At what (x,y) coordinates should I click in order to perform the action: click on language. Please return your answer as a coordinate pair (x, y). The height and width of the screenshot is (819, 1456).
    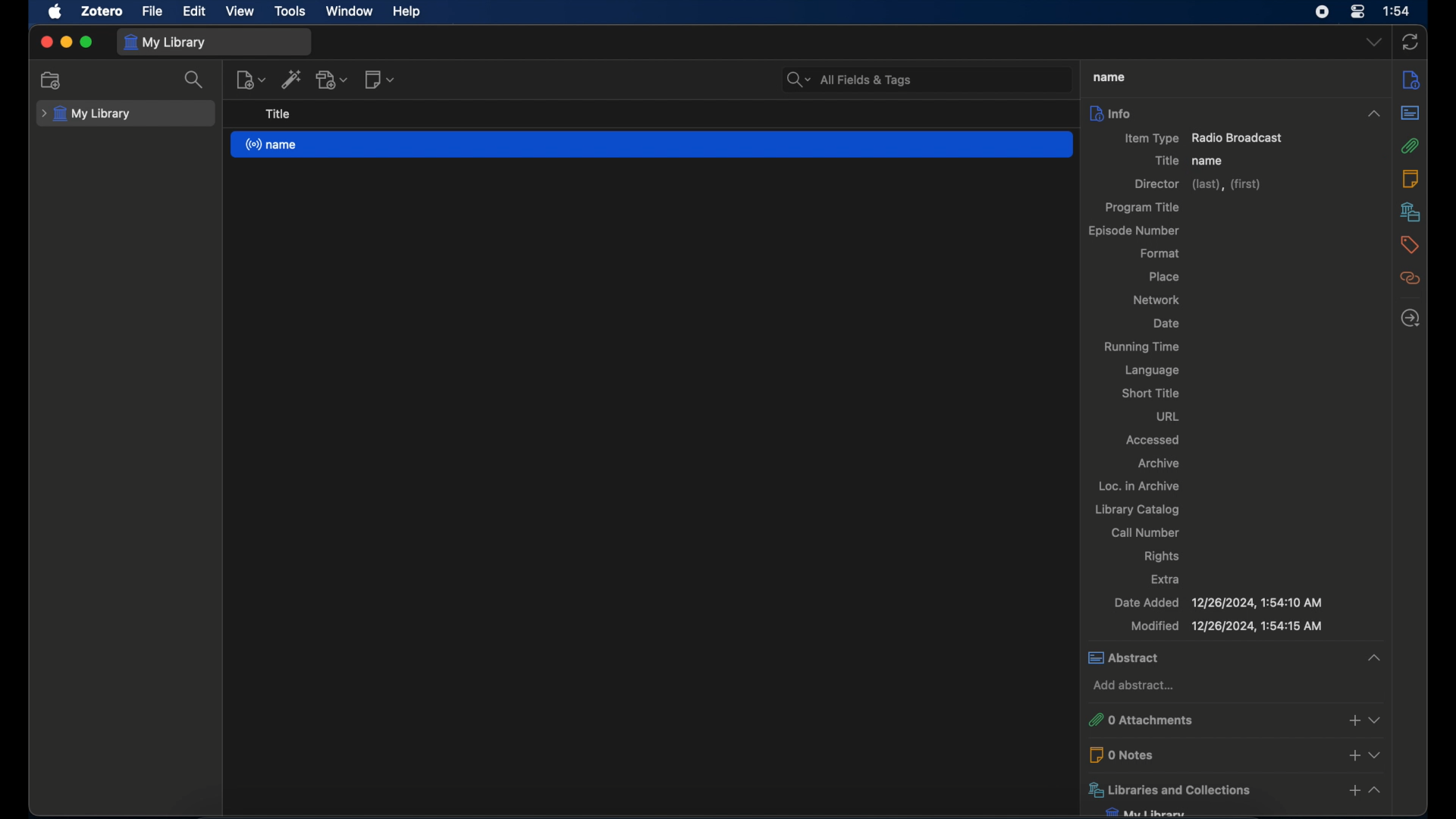
    Looking at the image, I should click on (1151, 371).